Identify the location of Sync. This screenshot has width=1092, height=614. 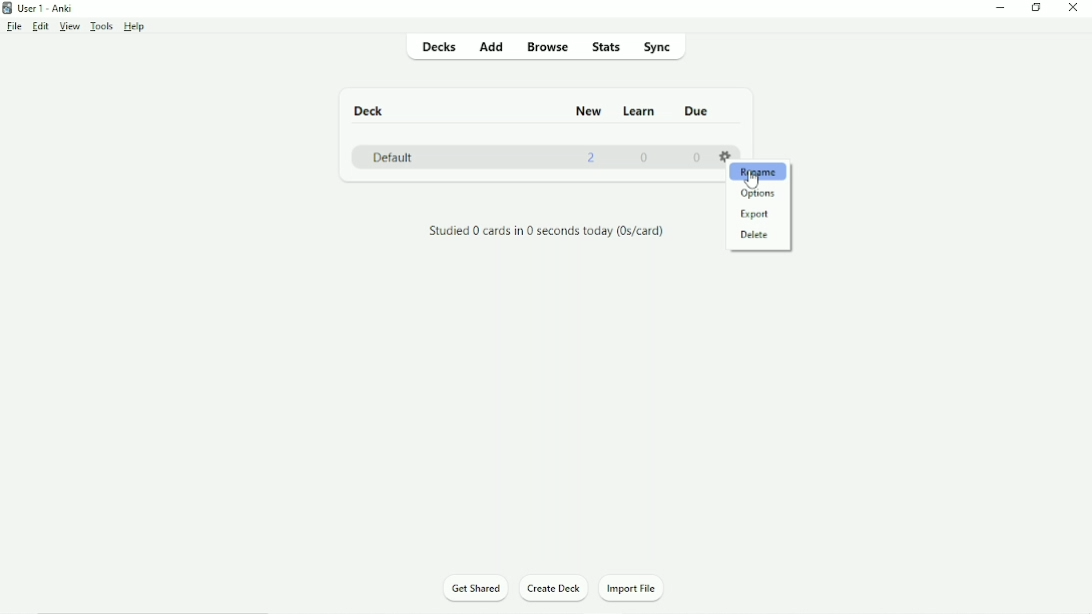
(657, 46).